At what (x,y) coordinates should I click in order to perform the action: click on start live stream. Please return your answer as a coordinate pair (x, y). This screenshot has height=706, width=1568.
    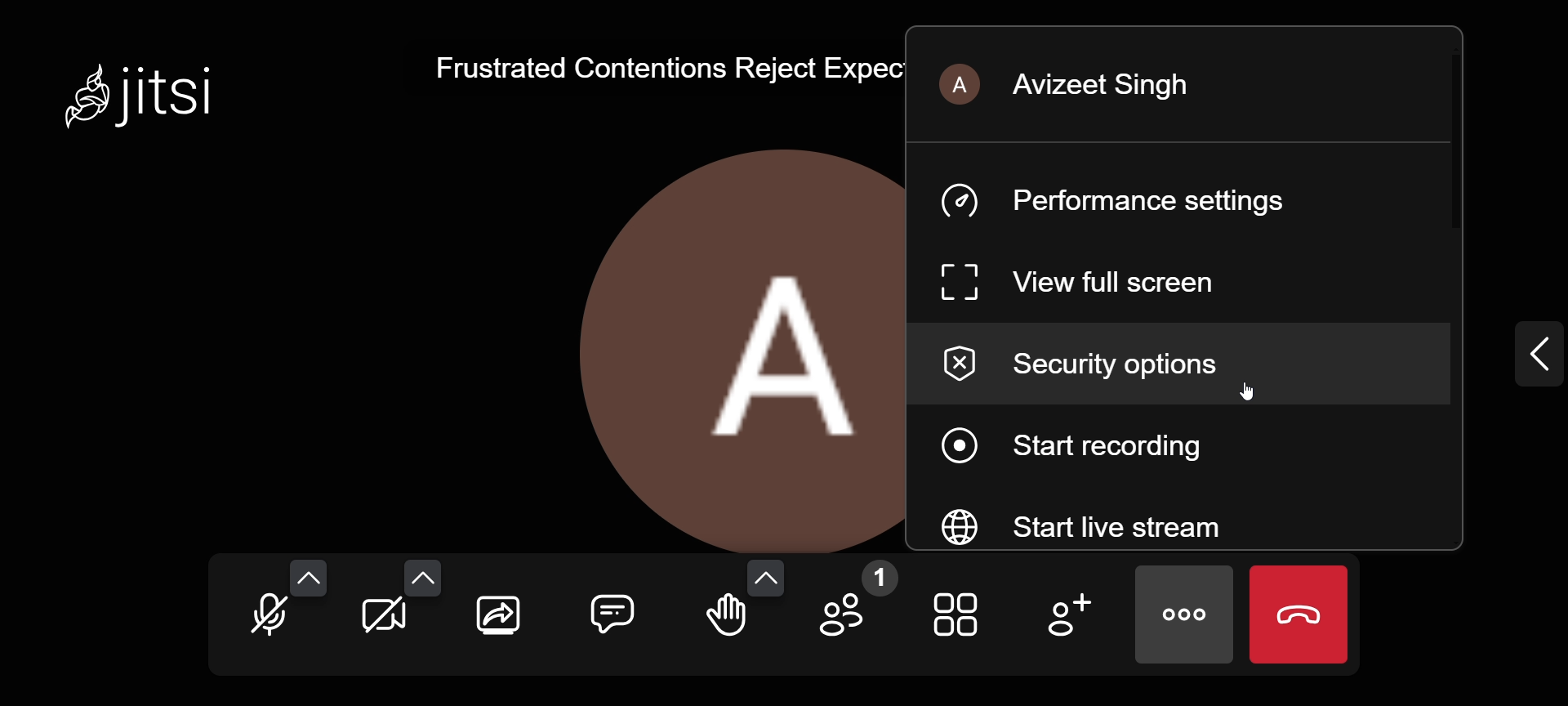
    Looking at the image, I should click on (1111, 525).